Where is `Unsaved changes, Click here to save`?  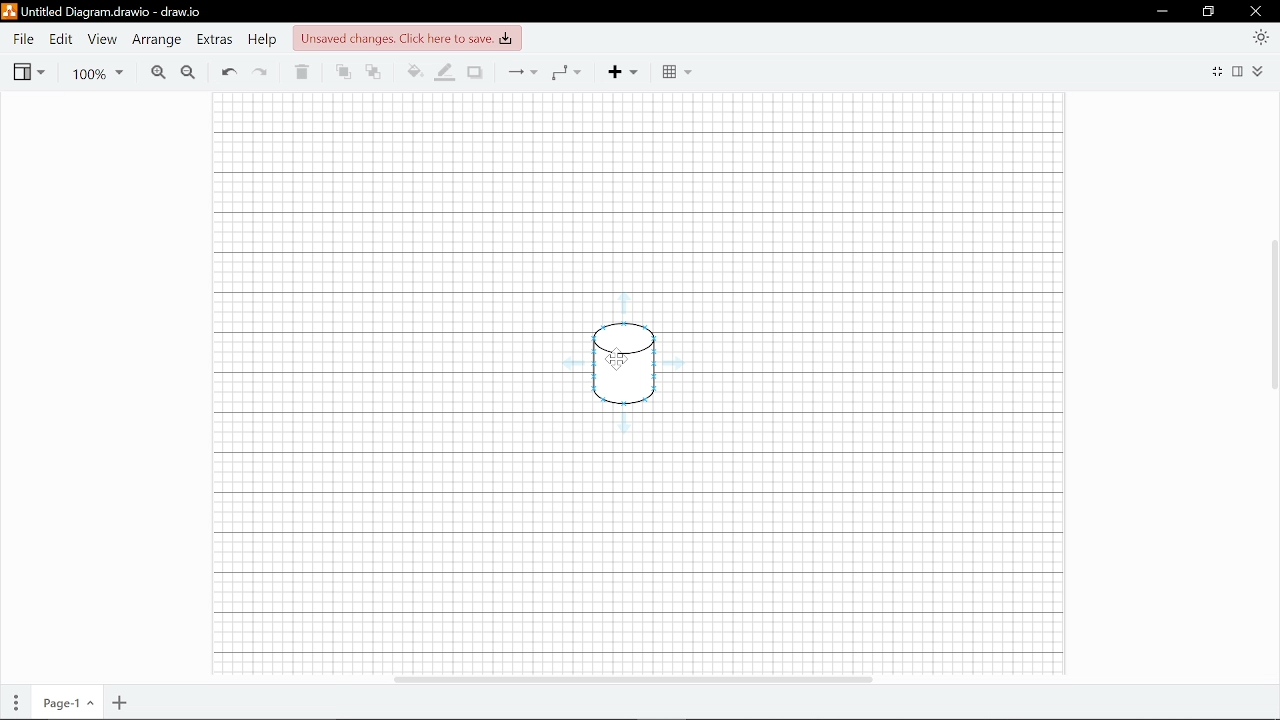
Unsaved changes, Click here to save is located at coordinates (406, 38).